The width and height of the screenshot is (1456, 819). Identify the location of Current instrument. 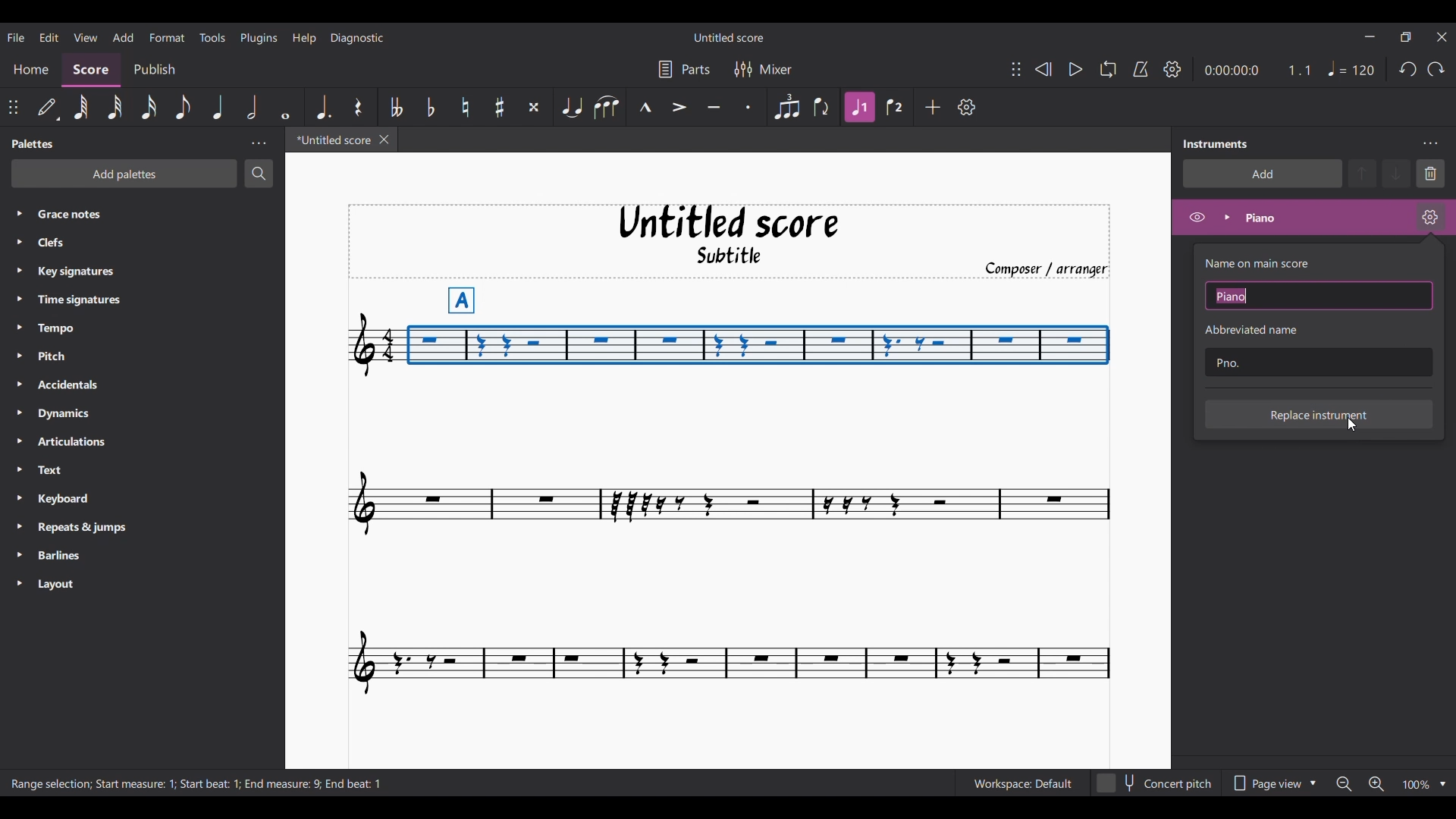
(1321, 218).